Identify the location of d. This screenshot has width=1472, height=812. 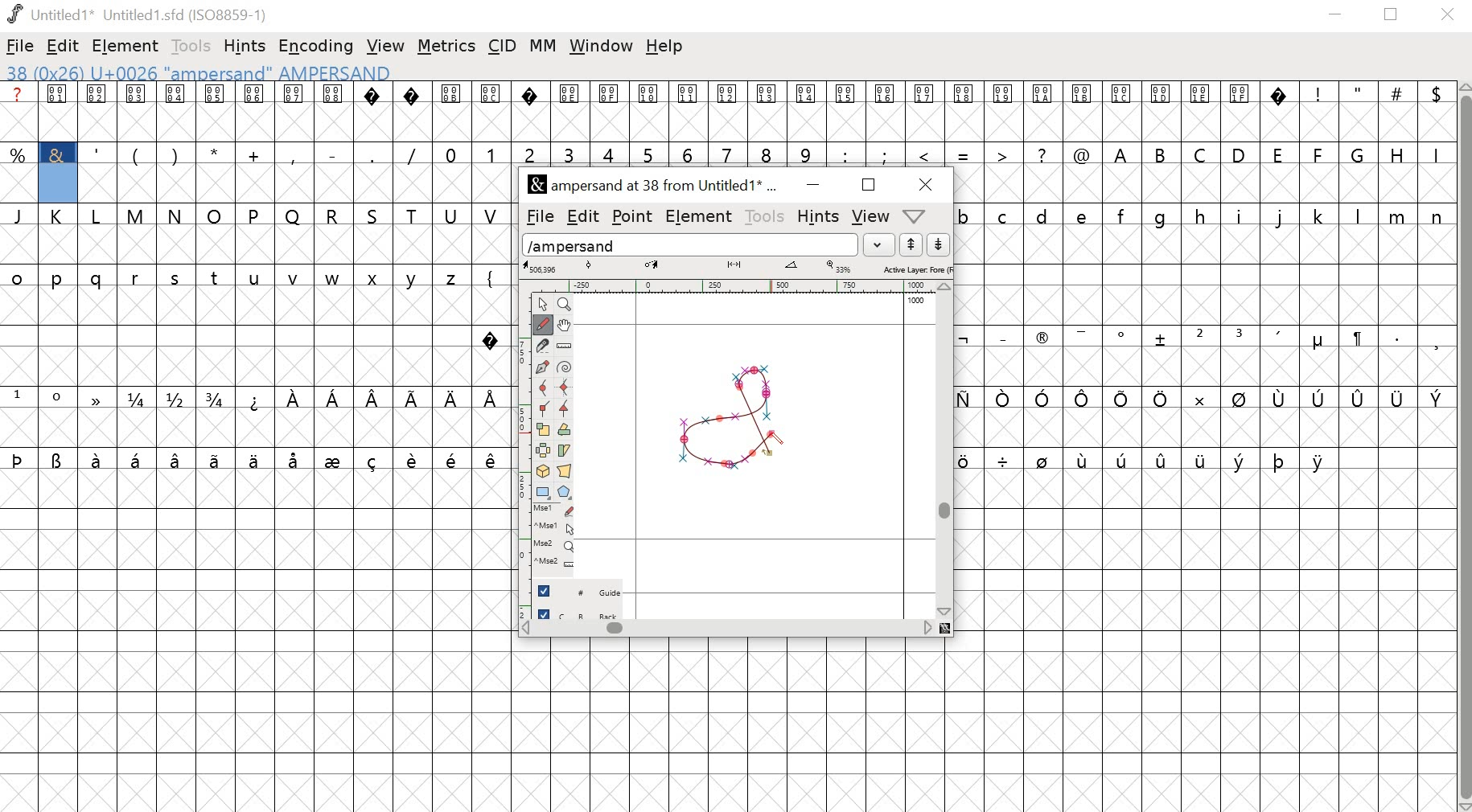
(1042, 215).